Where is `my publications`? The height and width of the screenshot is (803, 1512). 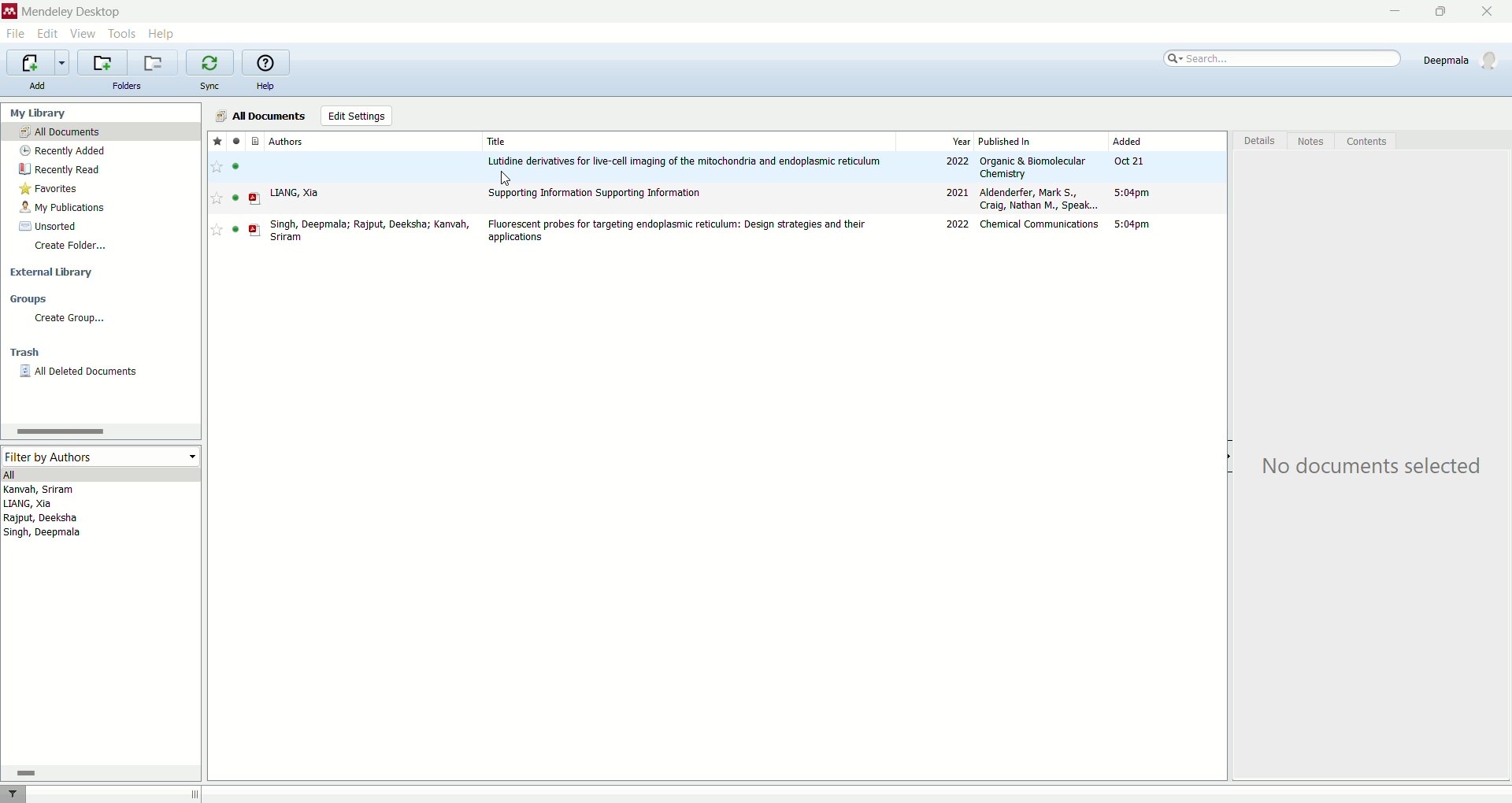
my publications is located at coordinates (61, 209).